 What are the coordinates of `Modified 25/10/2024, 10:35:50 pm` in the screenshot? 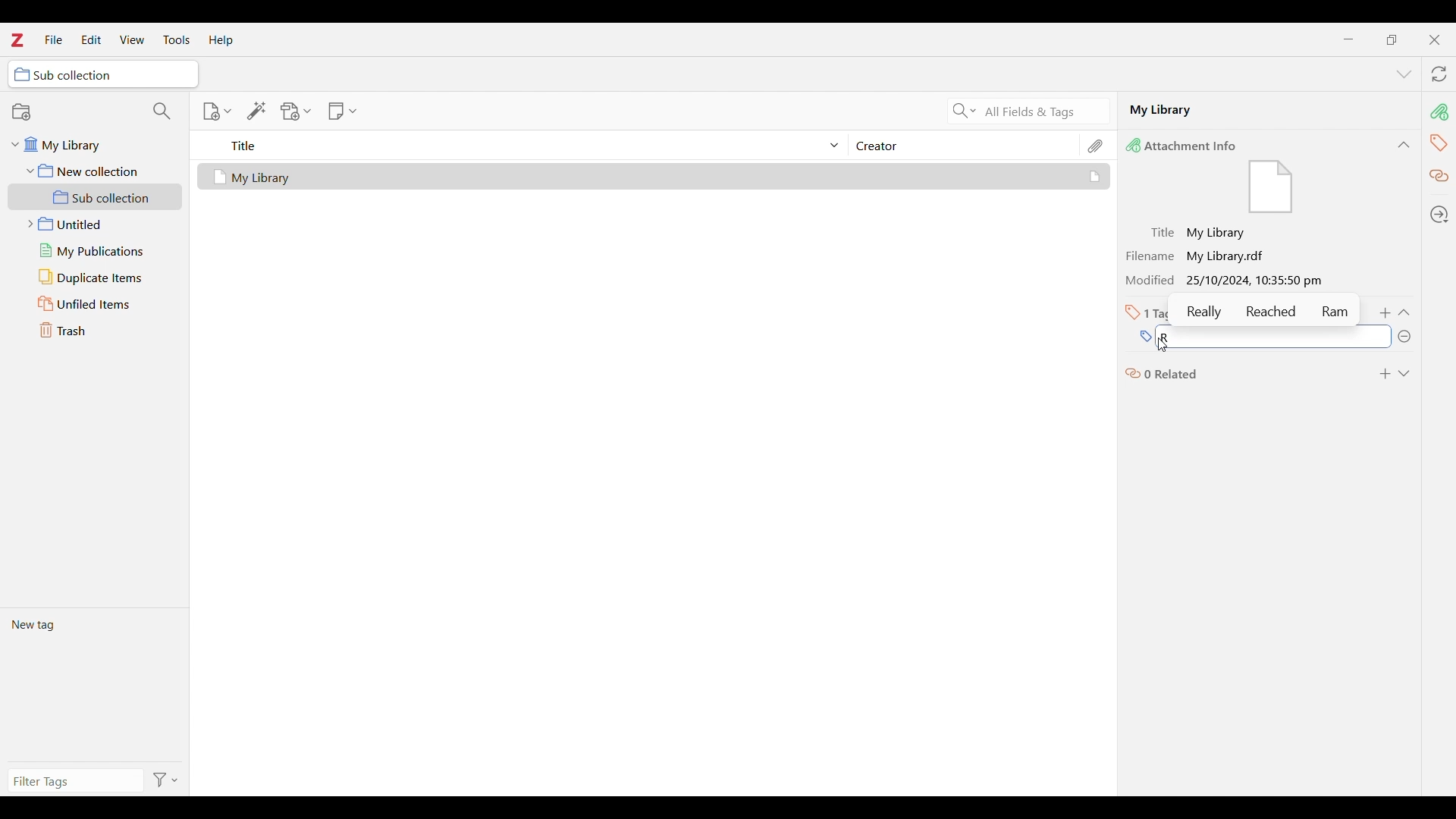 It's located at (1228, 281).